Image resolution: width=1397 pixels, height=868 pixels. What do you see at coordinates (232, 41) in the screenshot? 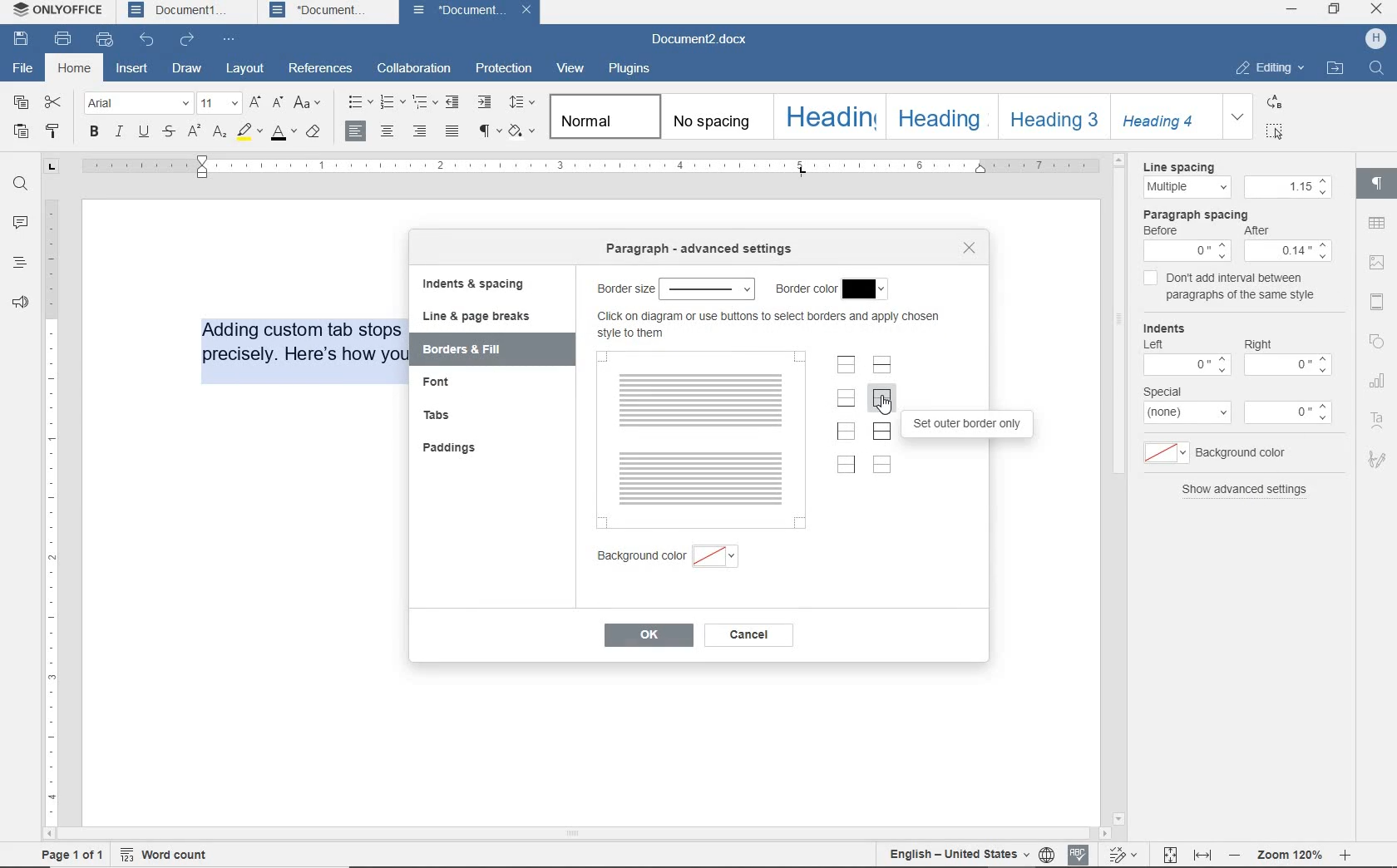
I see `customize quick access toolbar` at bounding box center [232, 41].